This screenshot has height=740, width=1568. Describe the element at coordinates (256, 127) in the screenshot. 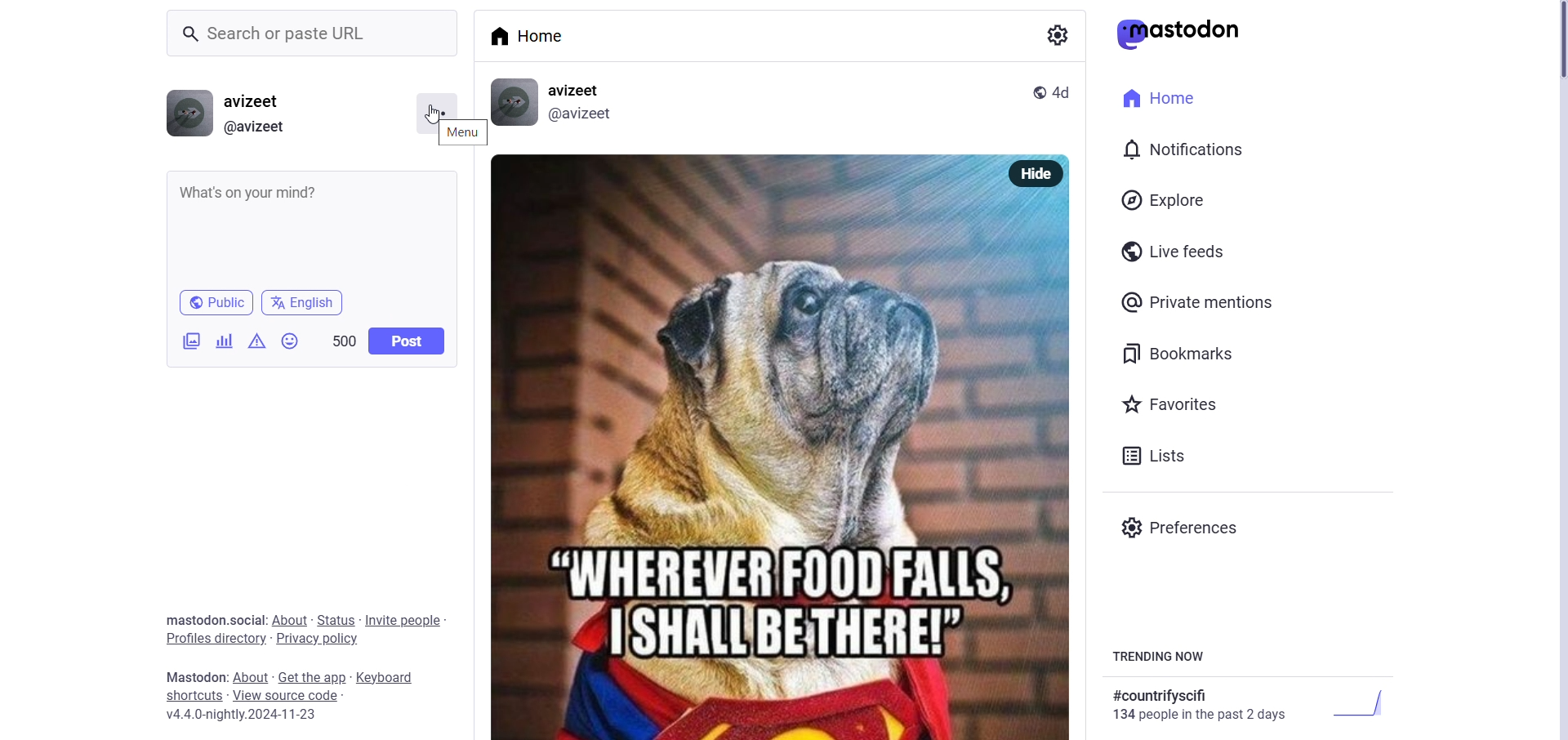

I see `id` at that location.